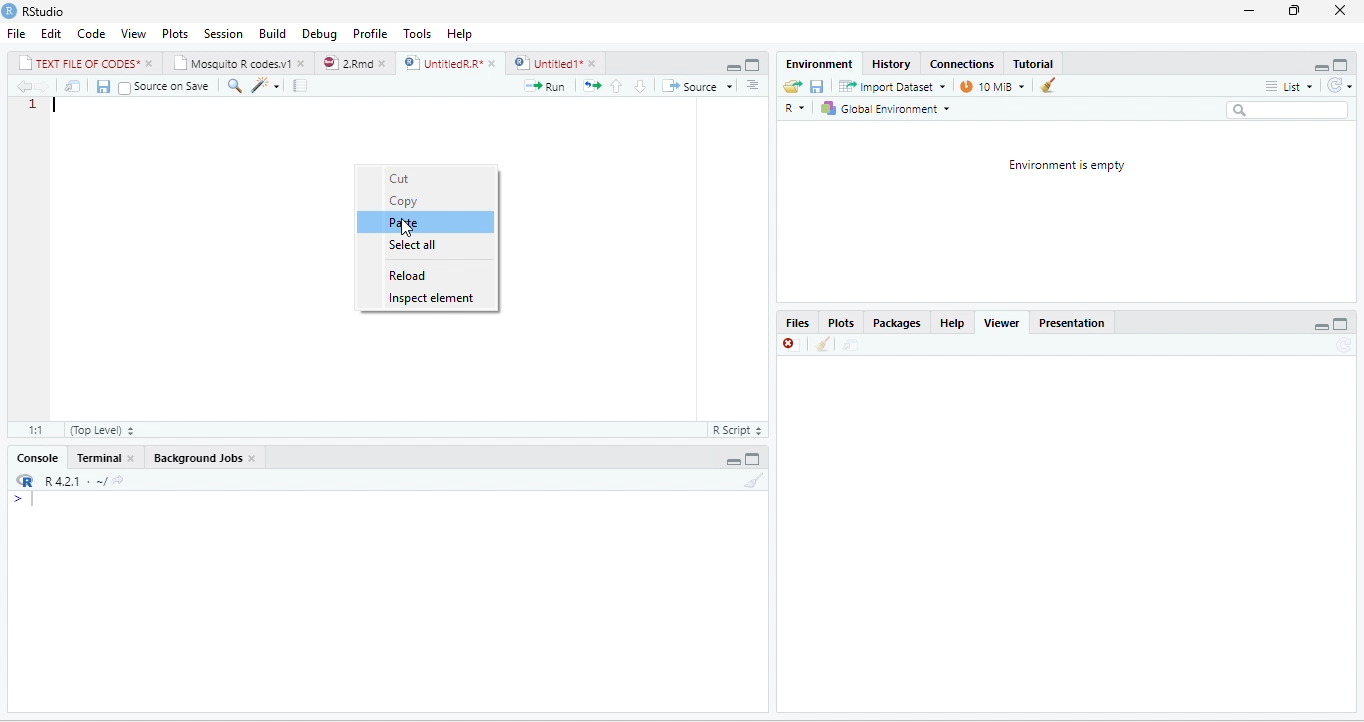 The height and width of the screenshot is (722, 1364). Describe the element at coordinates (221, 32) in the screenshot. I see `Session` at that location.